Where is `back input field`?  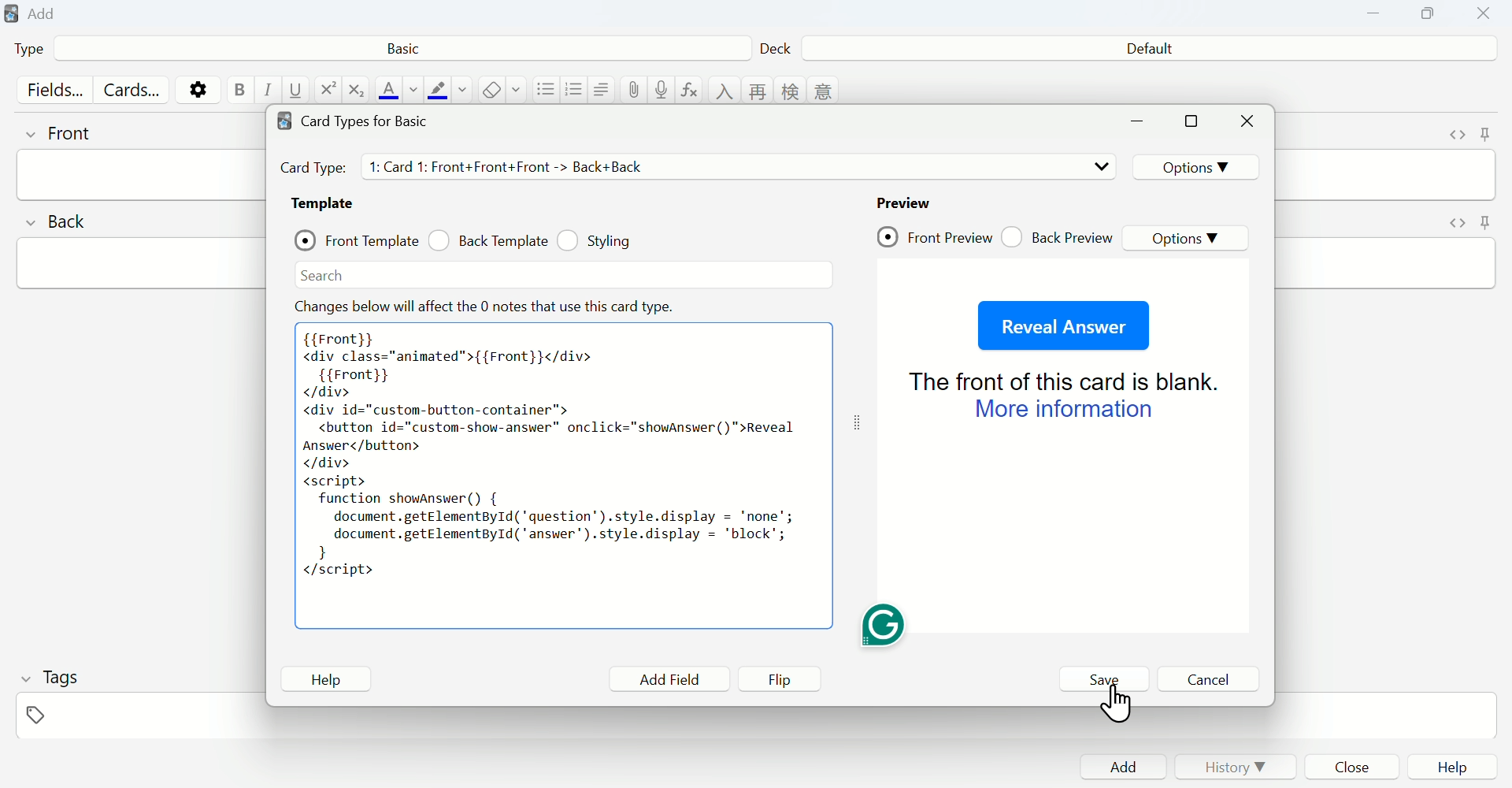 back input field is located at coordinates (141, 262).